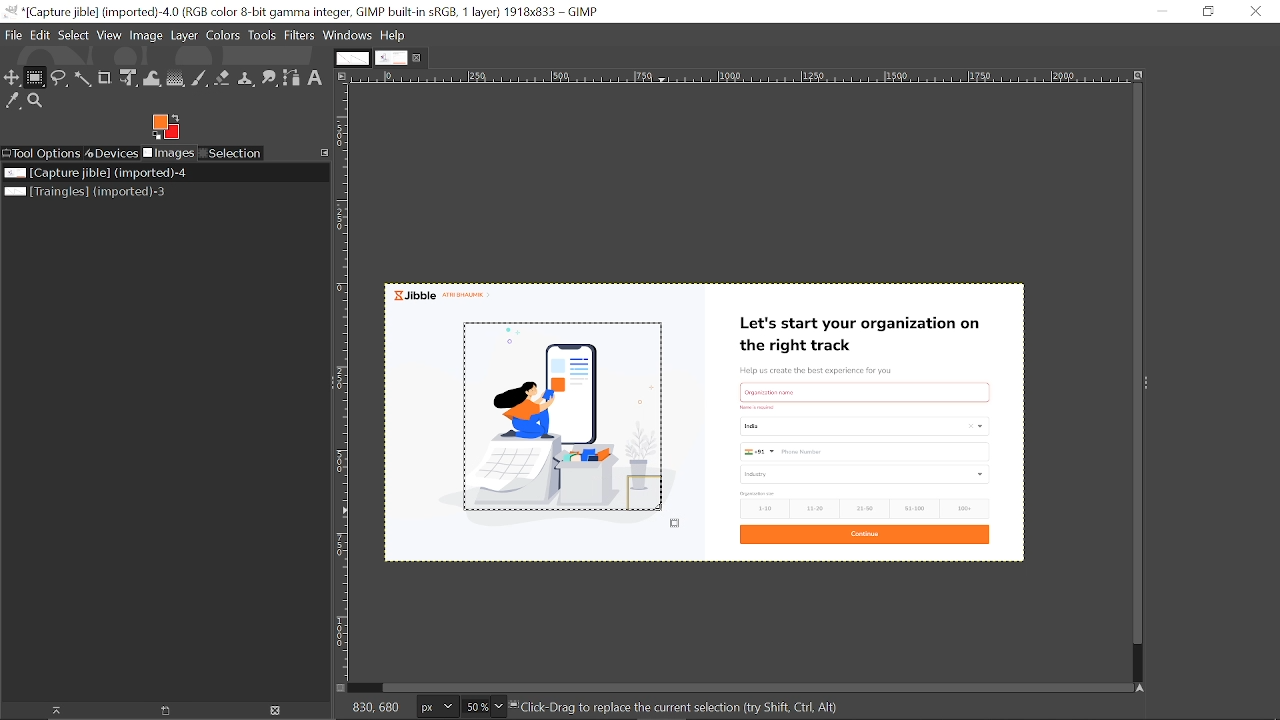 This screenshot has width=1280, height=720. I want to click on Tool options, so click(43, 153).